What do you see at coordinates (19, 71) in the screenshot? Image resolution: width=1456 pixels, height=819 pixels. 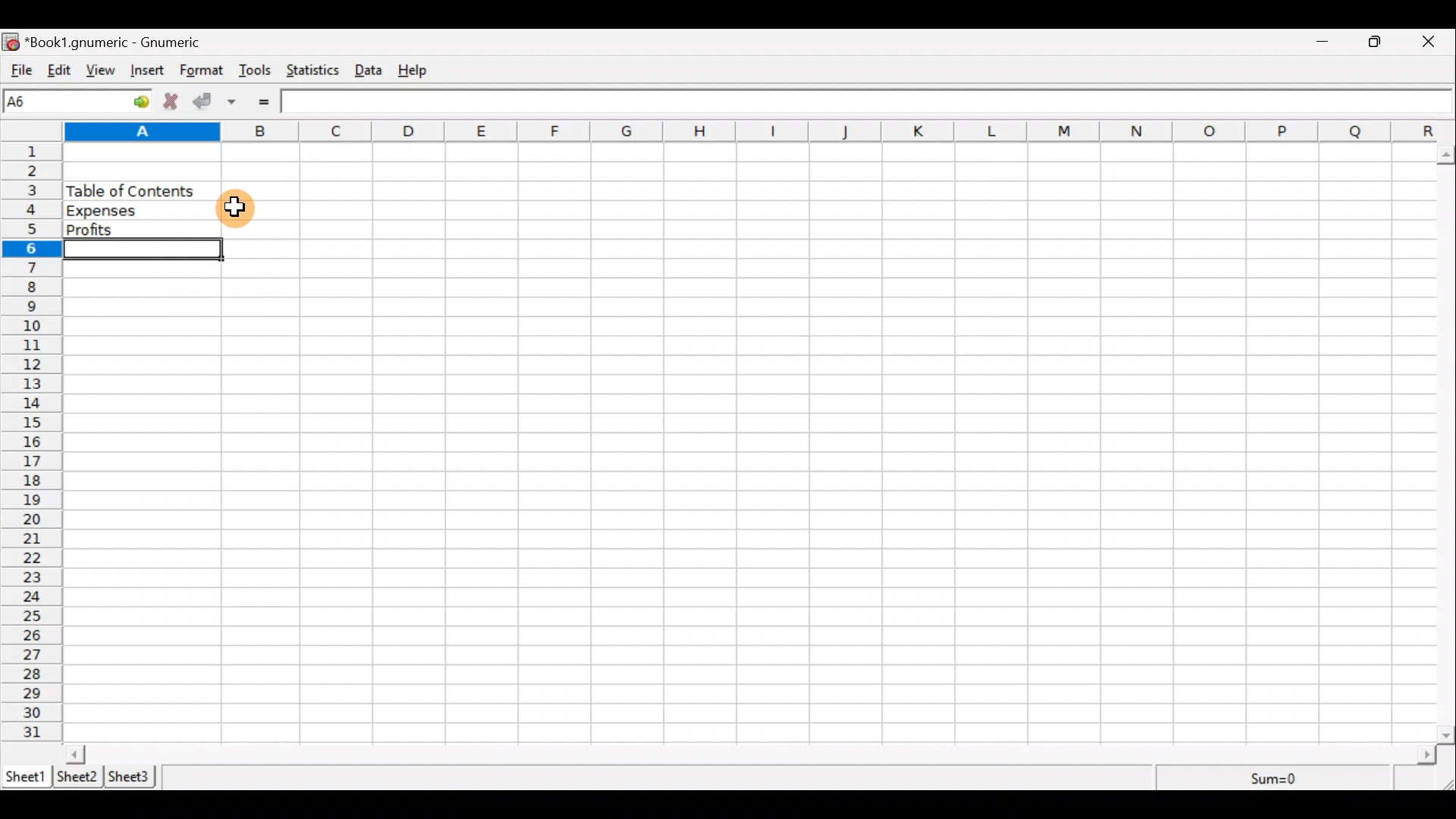 I see `File` at bounding box center [19, 71].